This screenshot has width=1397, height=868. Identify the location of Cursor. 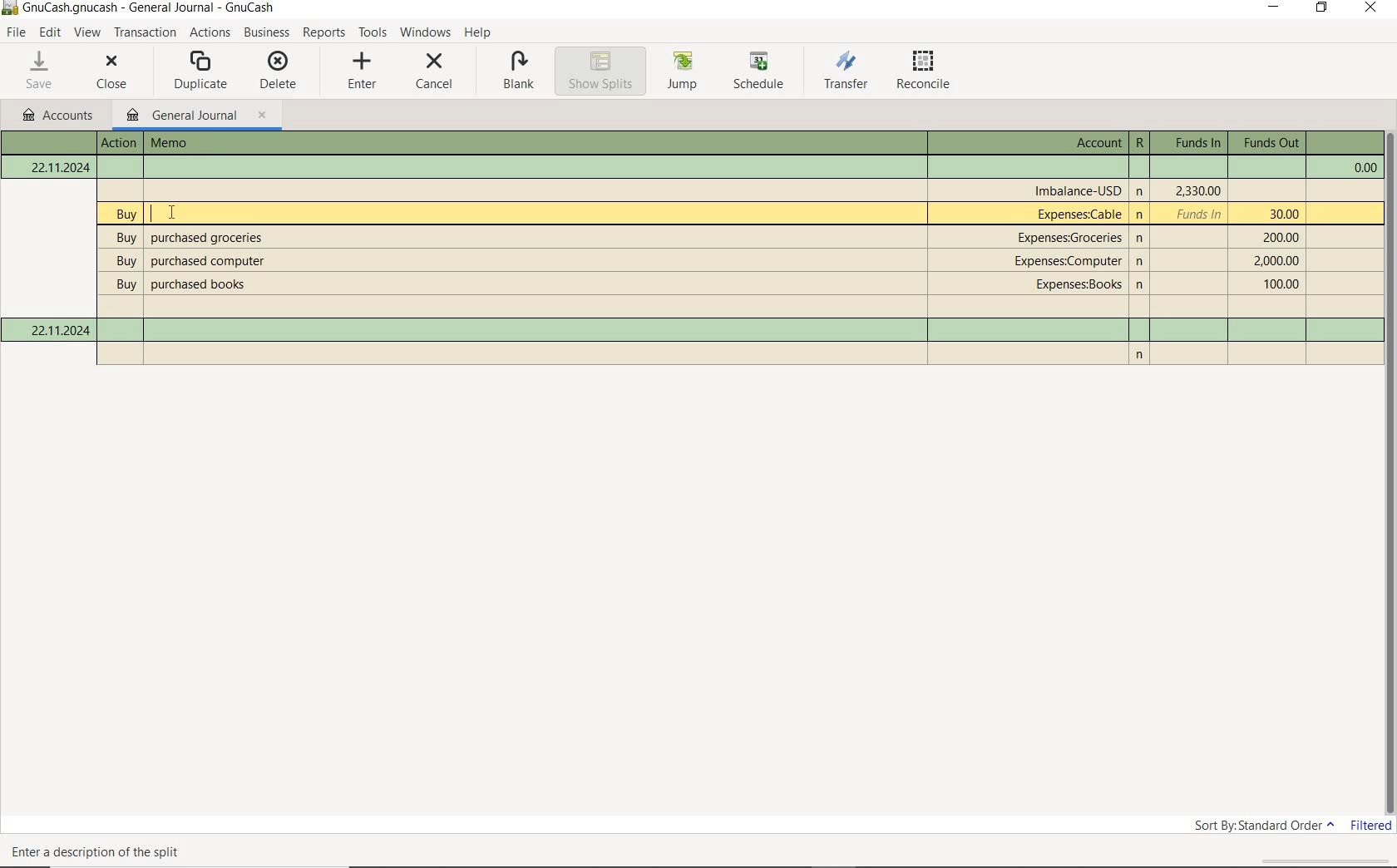
(172, 212).